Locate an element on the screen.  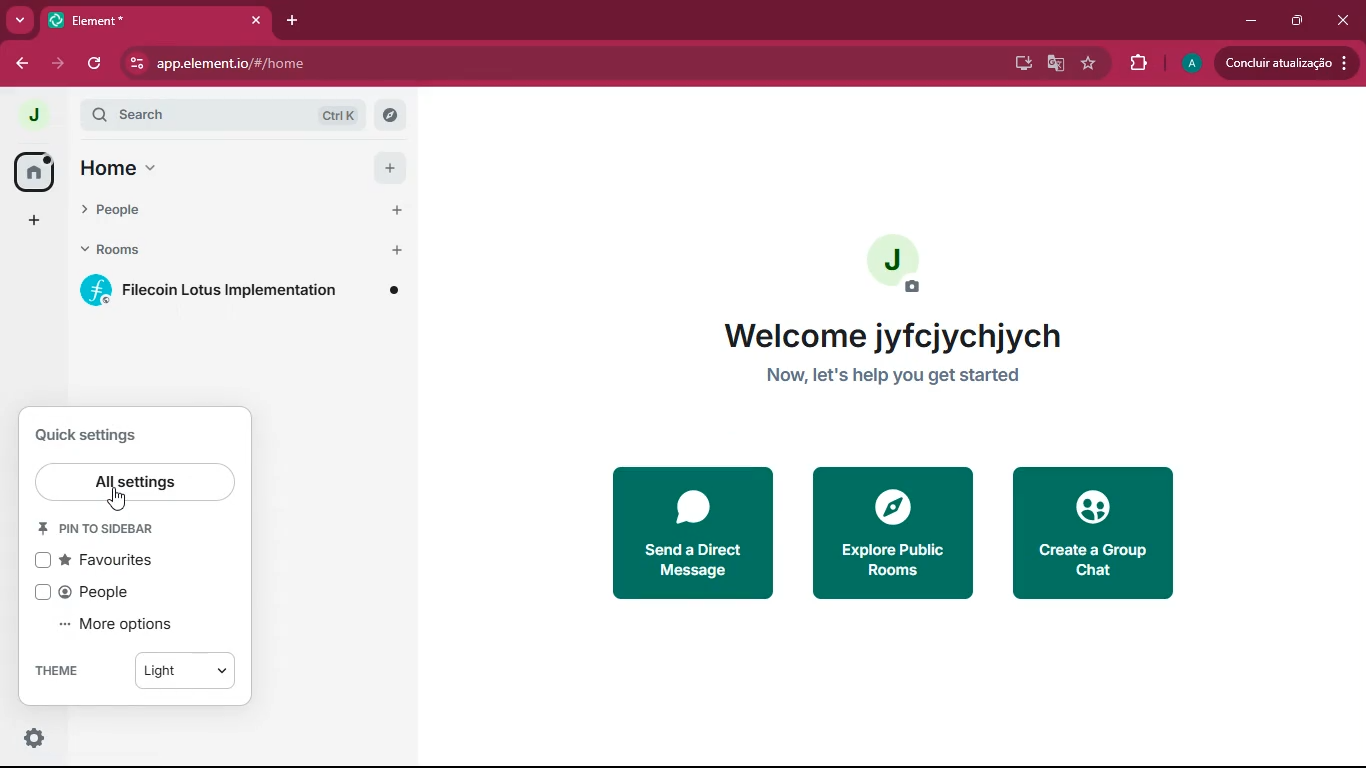
desktop is located at coordinates (1017, 64).